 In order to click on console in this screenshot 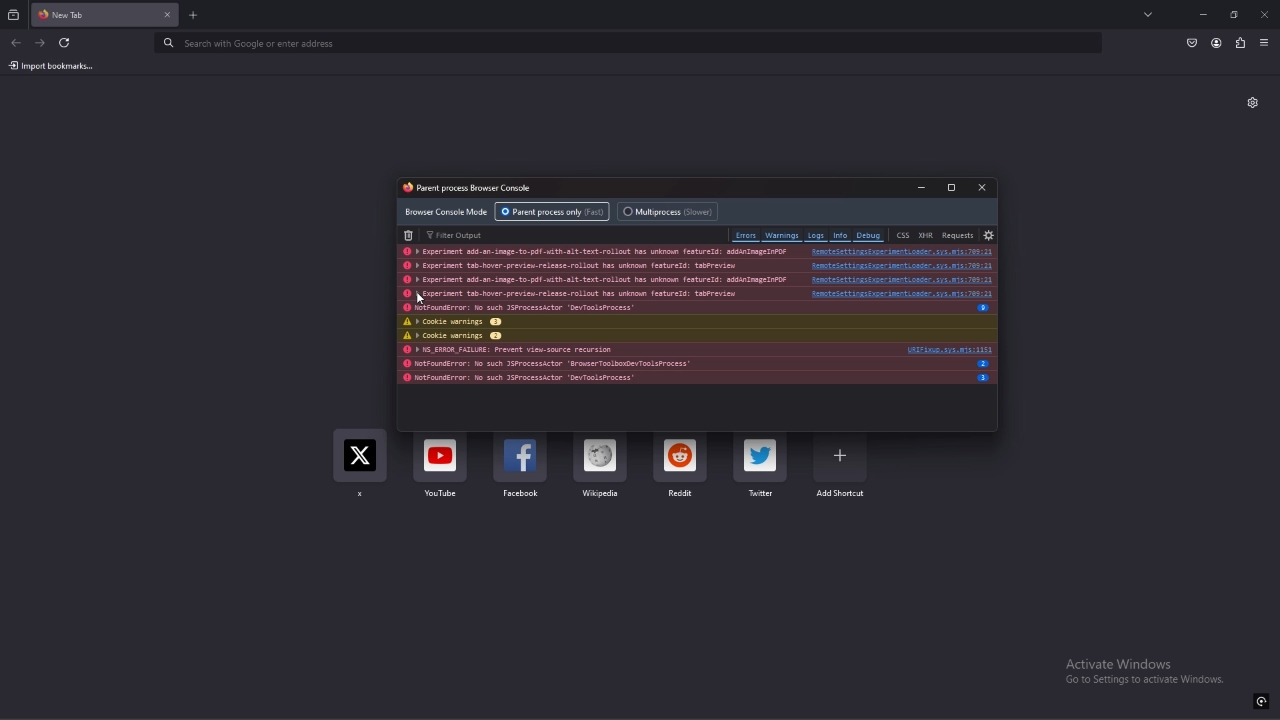, I will do `click(473, 189)`.